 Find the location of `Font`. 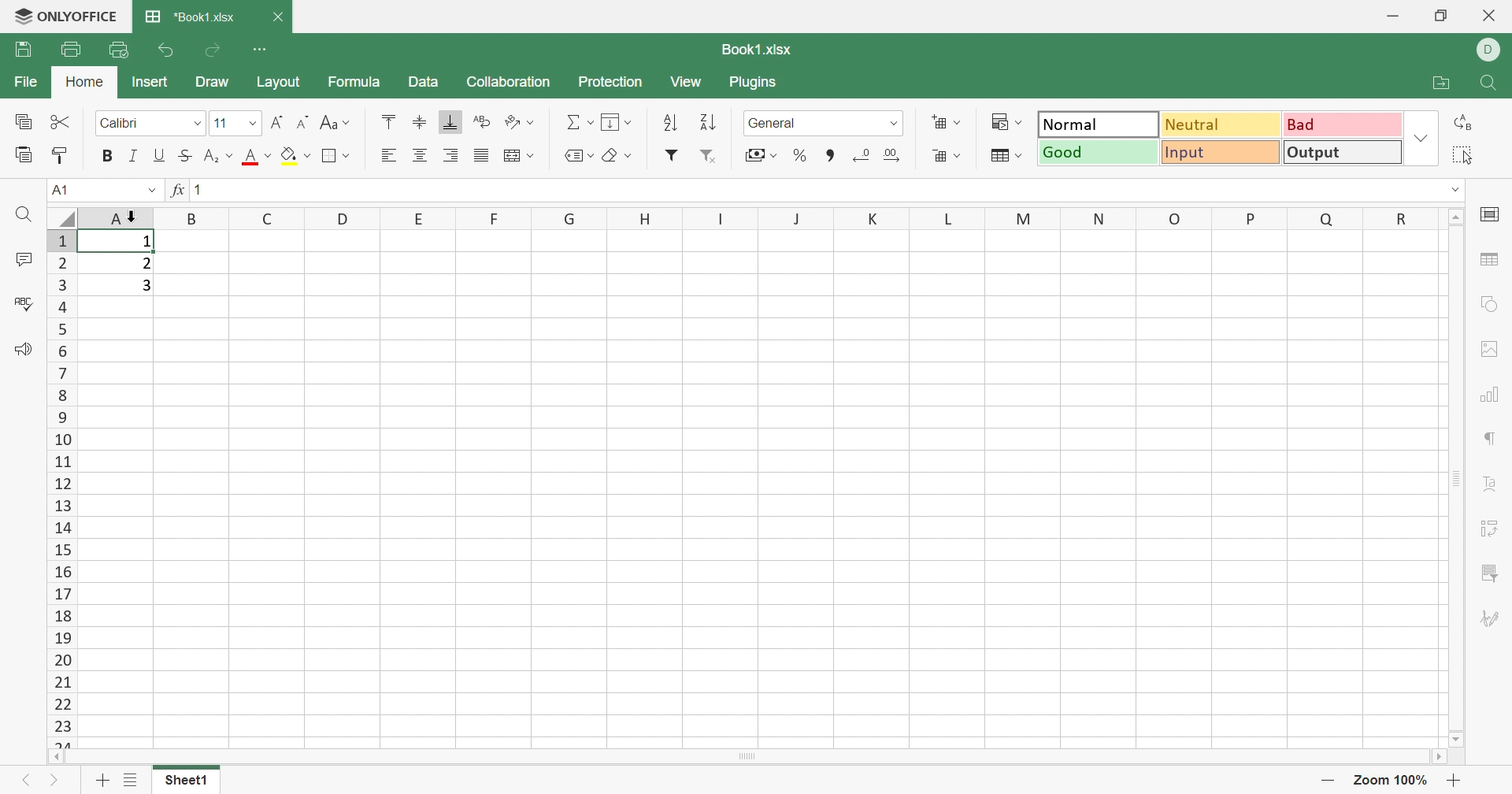

Font is located at coordinates (258, 157).